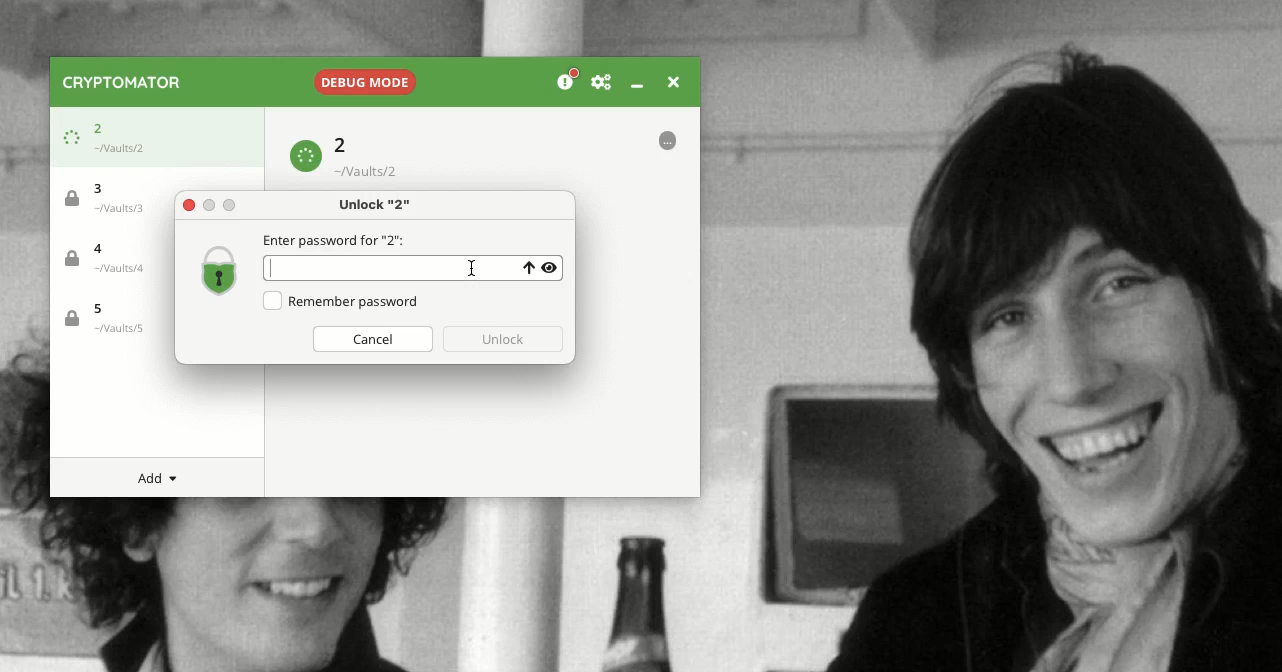 The width and height of the screenshot is (1282, 672). What do you see at coordinates (232, 205) in the screenshot?
I see `maximize` at bounding box center [232, 205].